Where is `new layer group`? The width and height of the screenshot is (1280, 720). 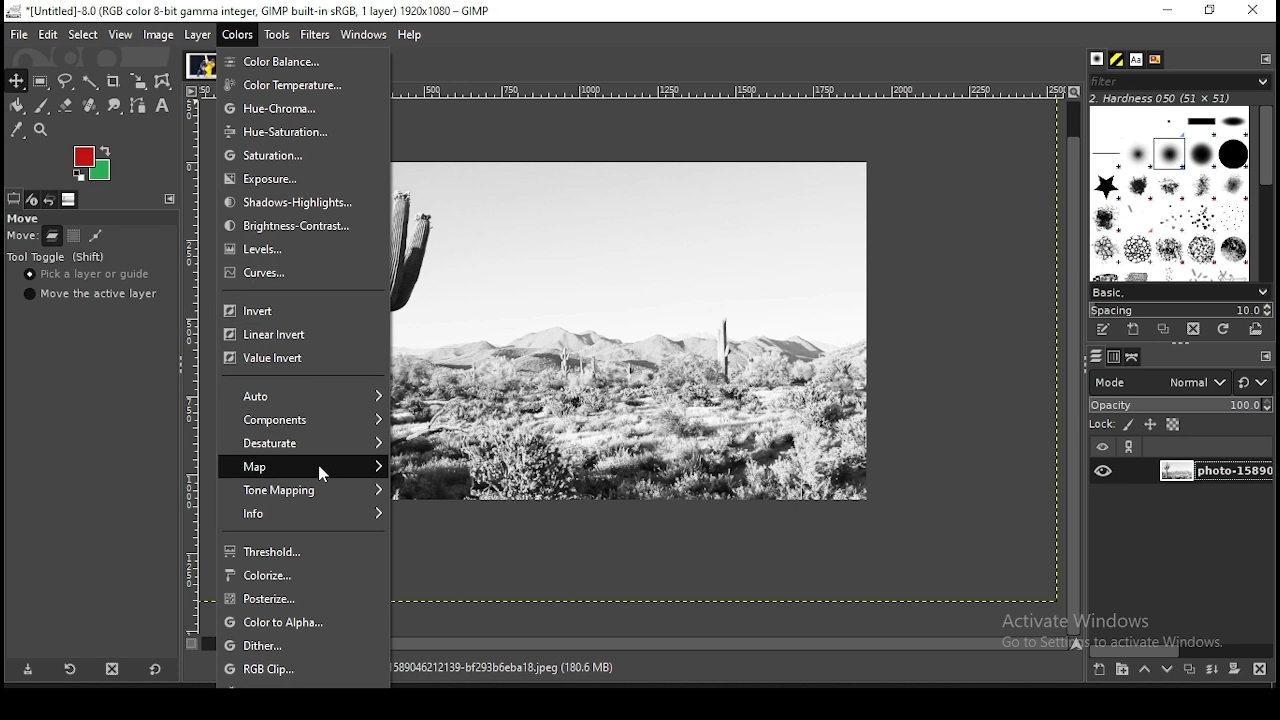 new layer group is located at coordinates (1121, 670).